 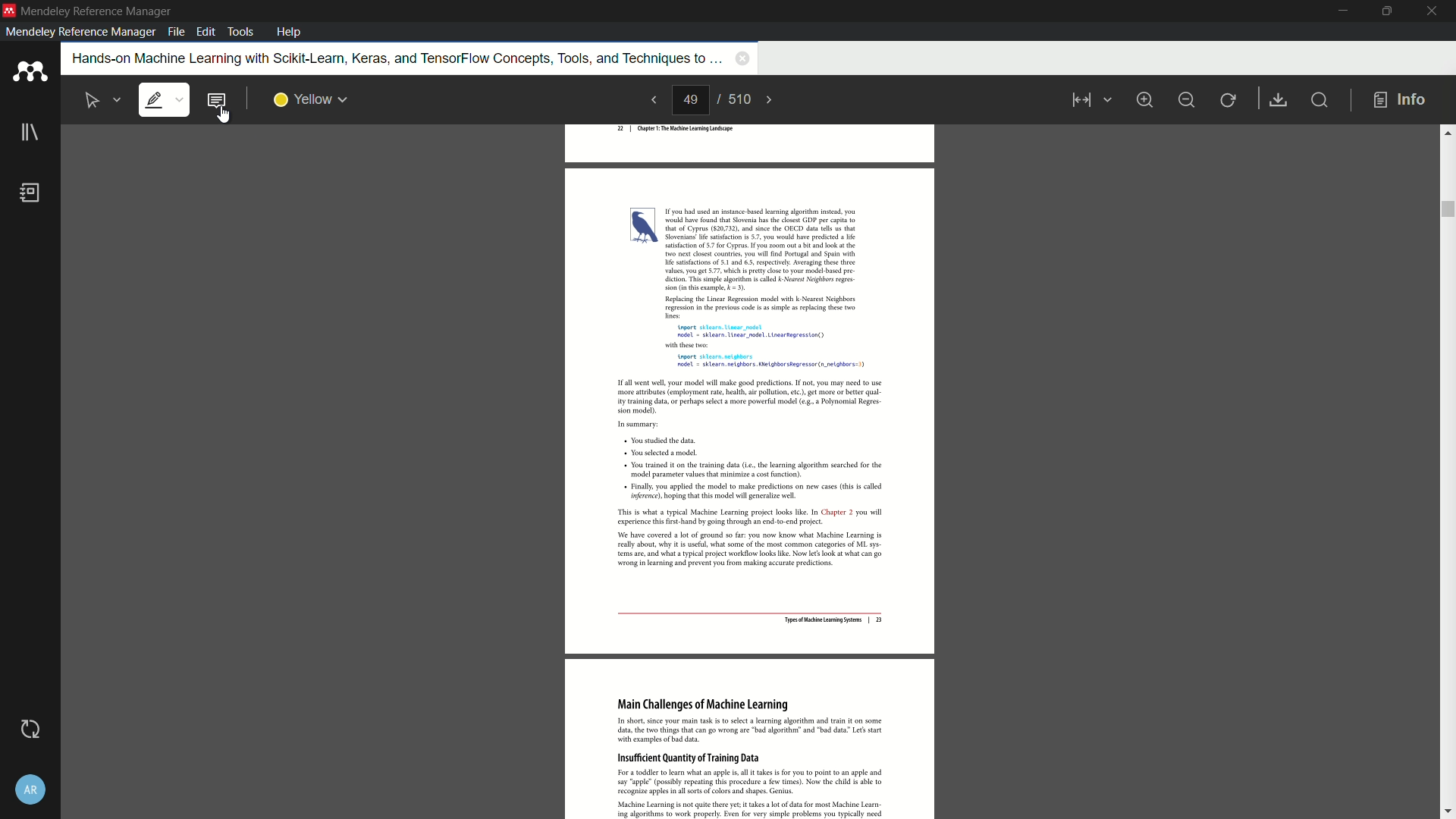 What do you see at coordinates (1400, 99) in the screenshot?
I see `info` at bounding box center [1400, 99].